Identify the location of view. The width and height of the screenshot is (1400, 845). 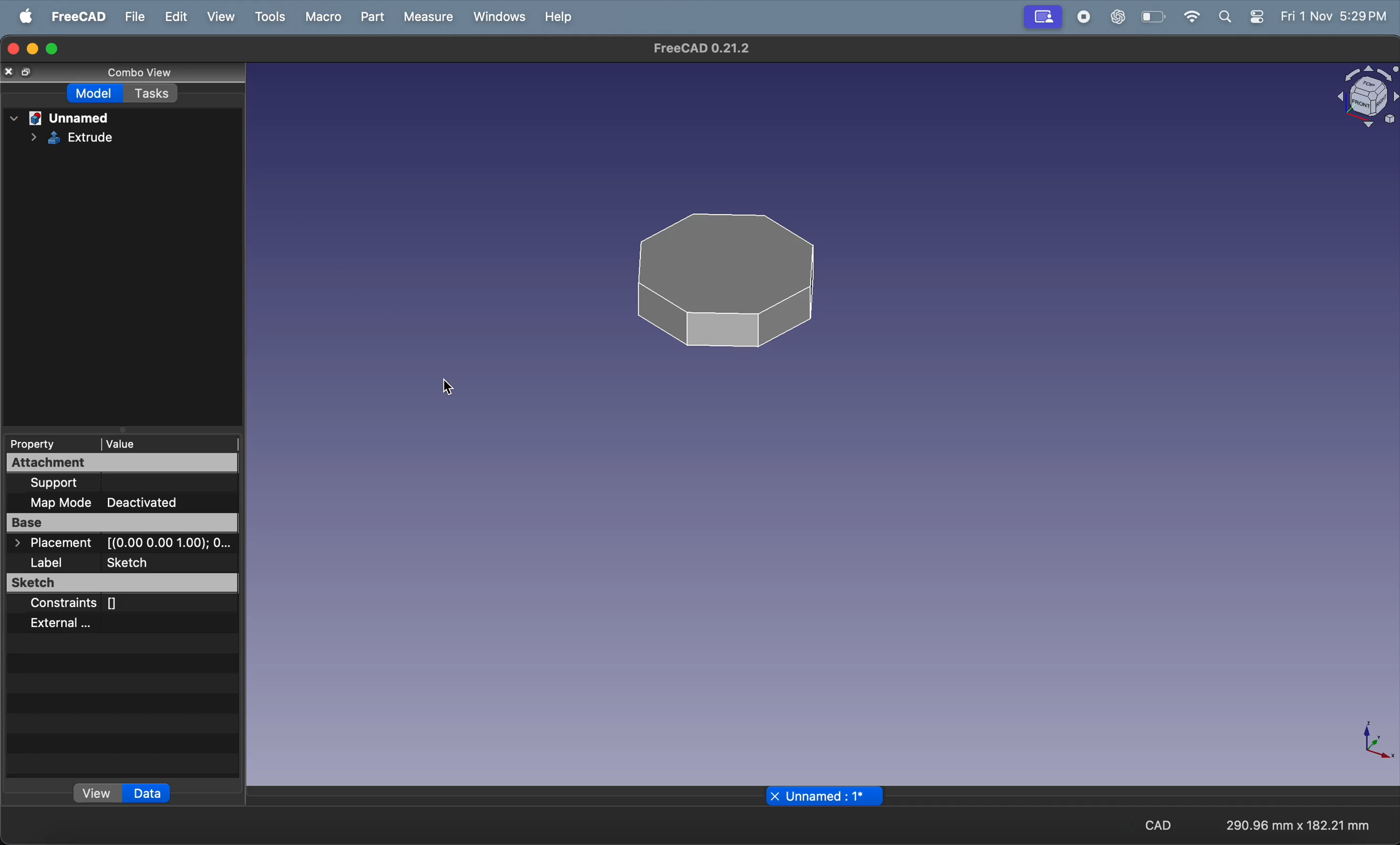
(220, 16).